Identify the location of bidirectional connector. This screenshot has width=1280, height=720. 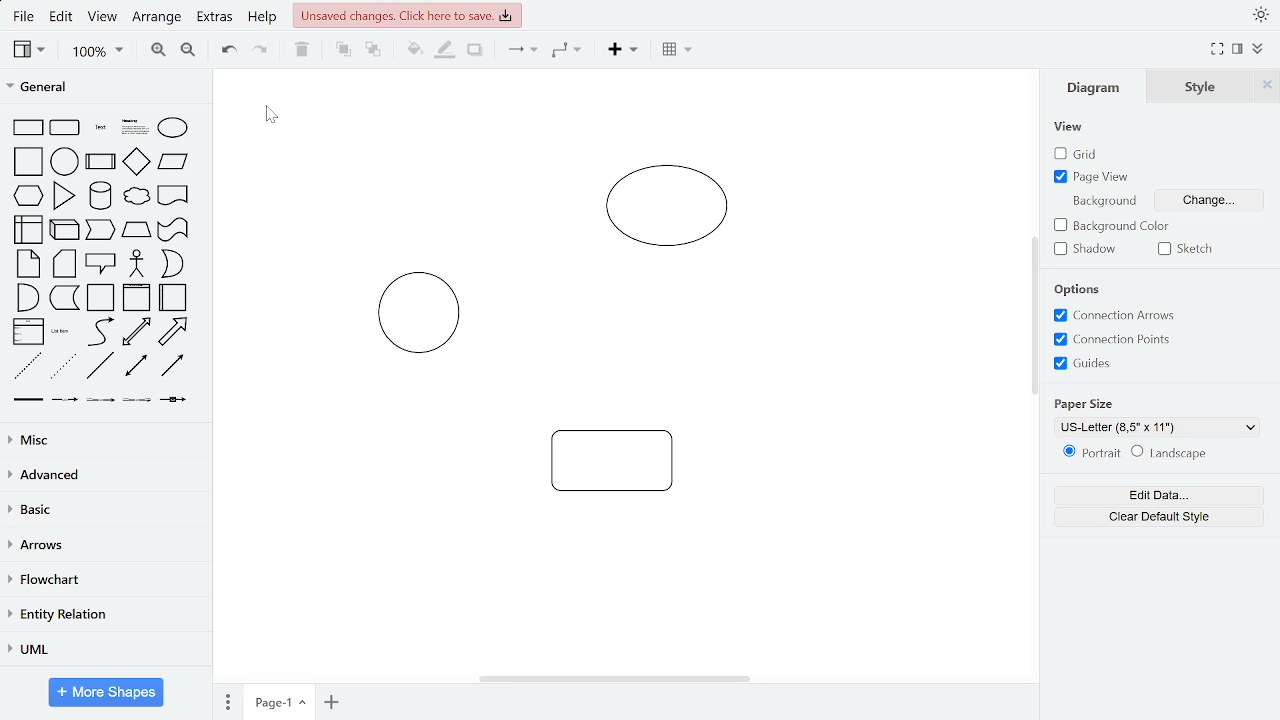
(138, 368).